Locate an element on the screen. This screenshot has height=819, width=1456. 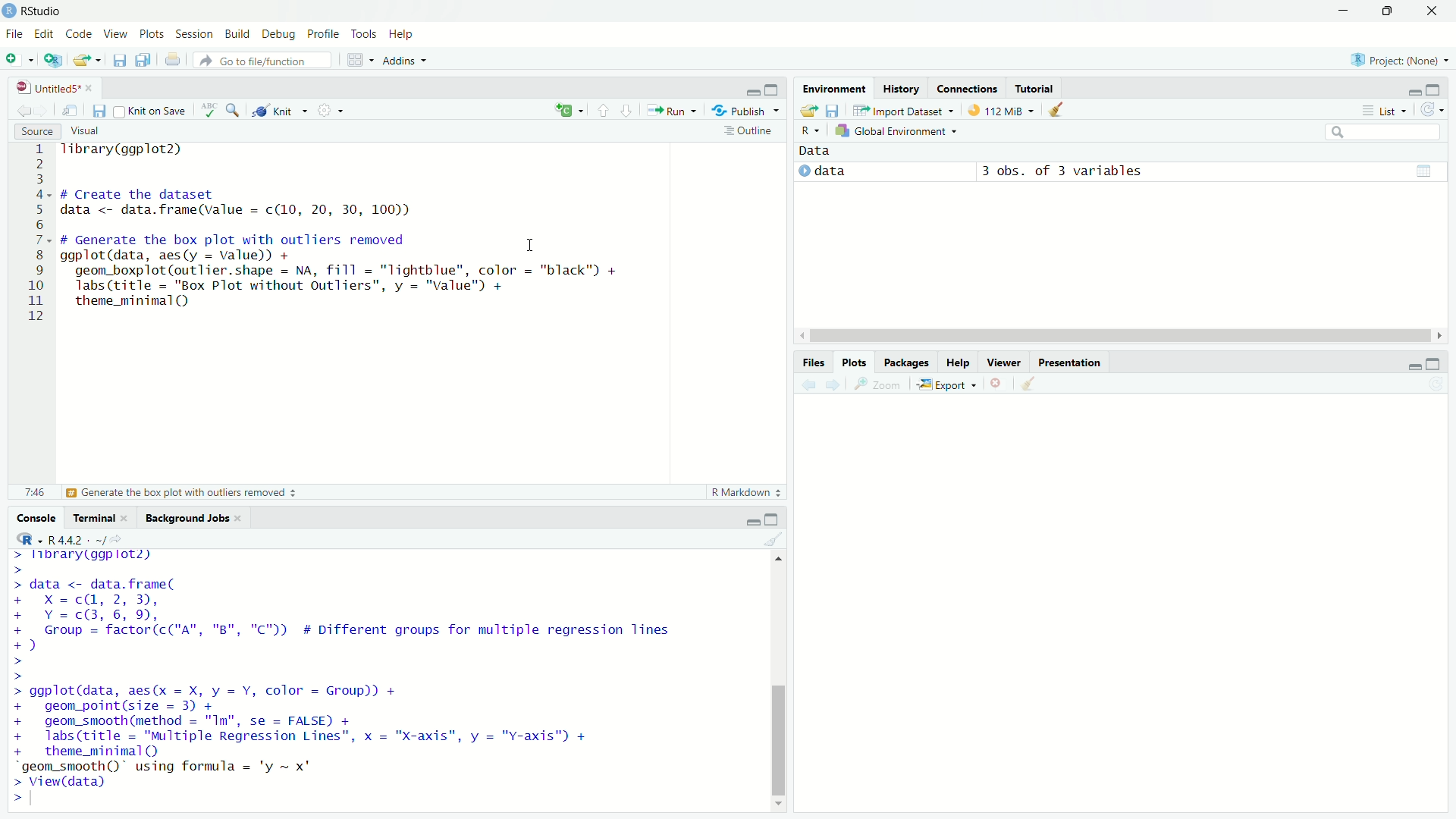
settings is located at coordinates (322, 111).